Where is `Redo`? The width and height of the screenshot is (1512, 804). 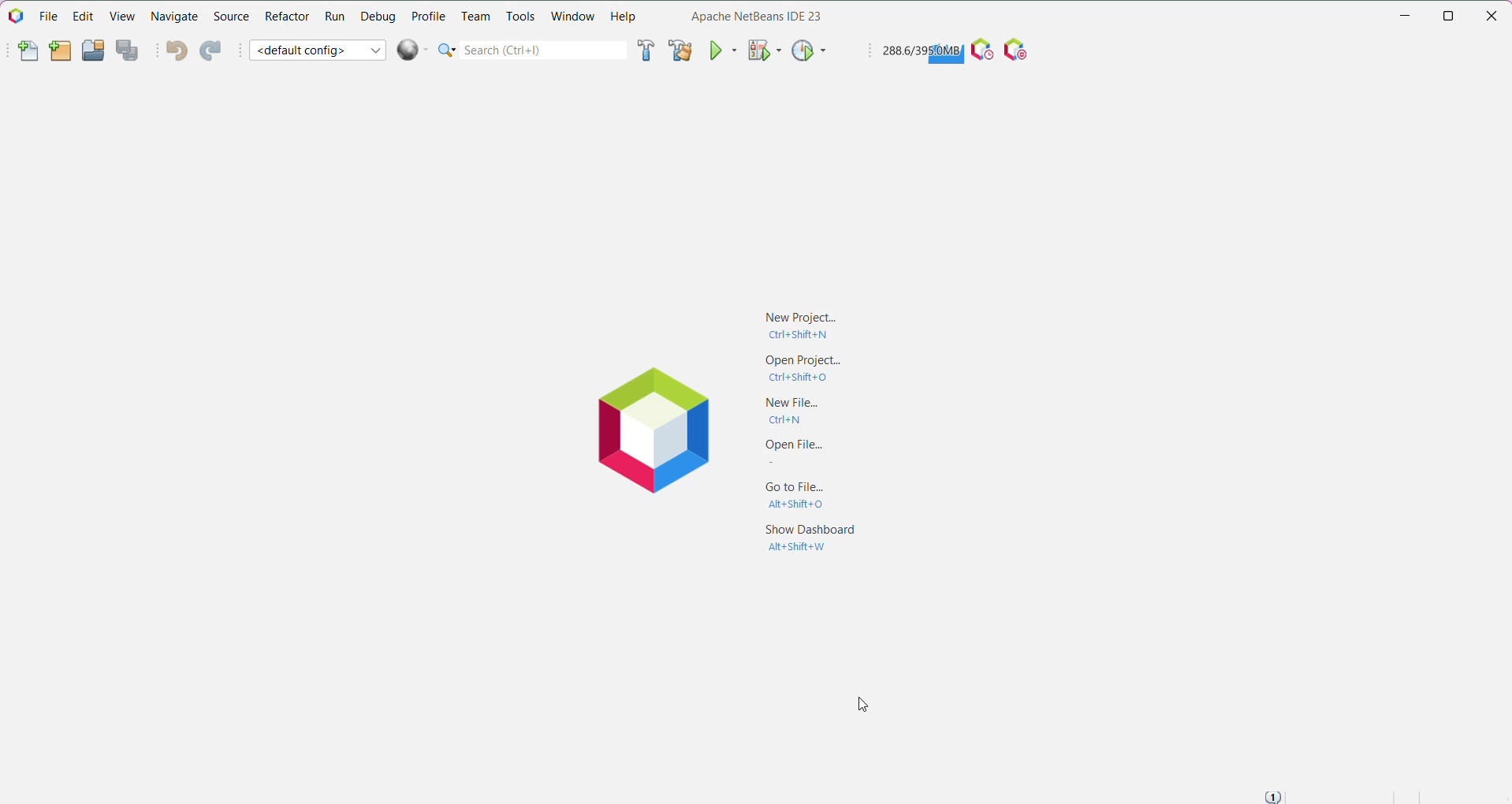
Redo is located at coordinates (214, 50).